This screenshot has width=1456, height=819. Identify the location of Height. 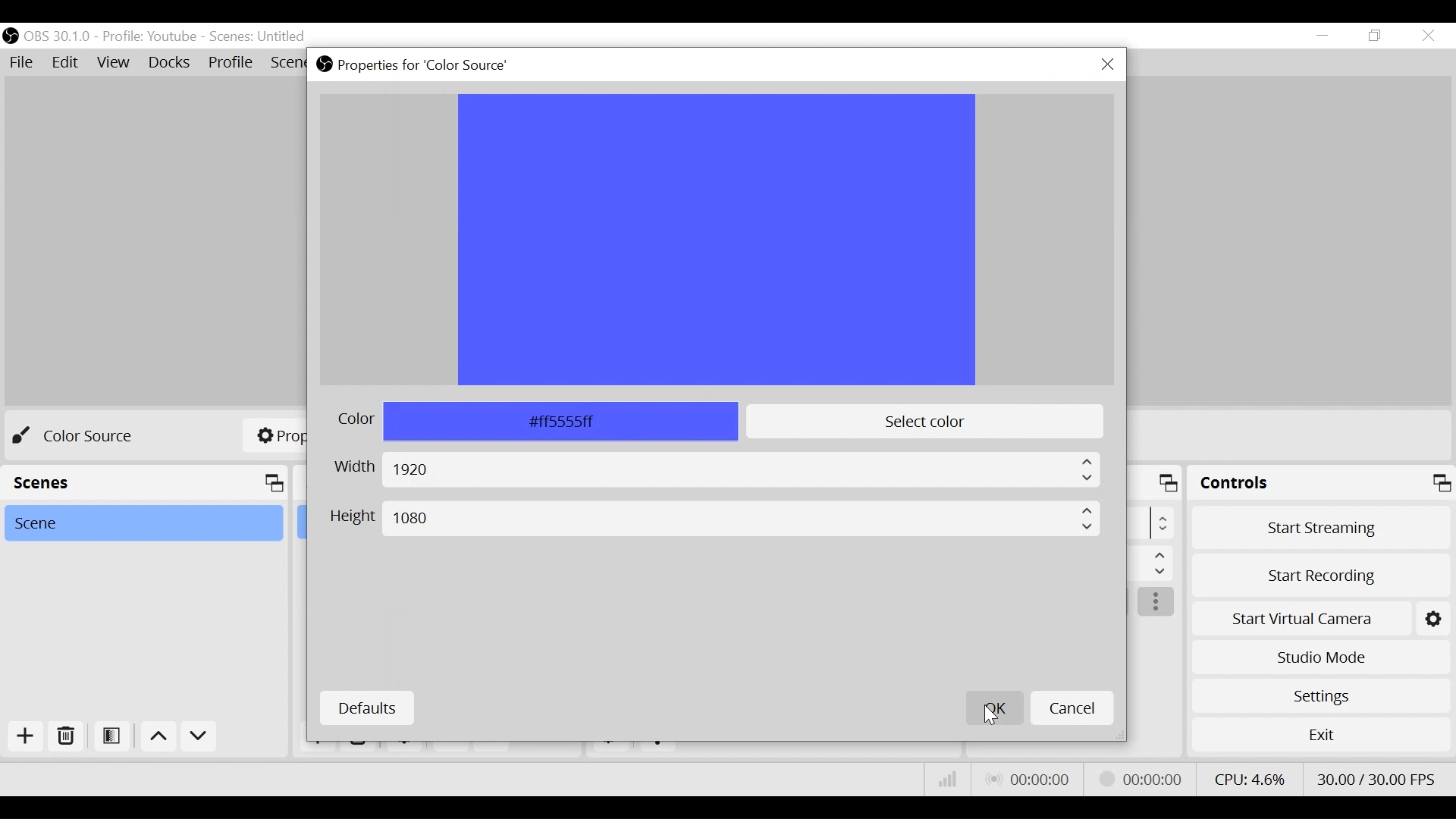
(716, 519).